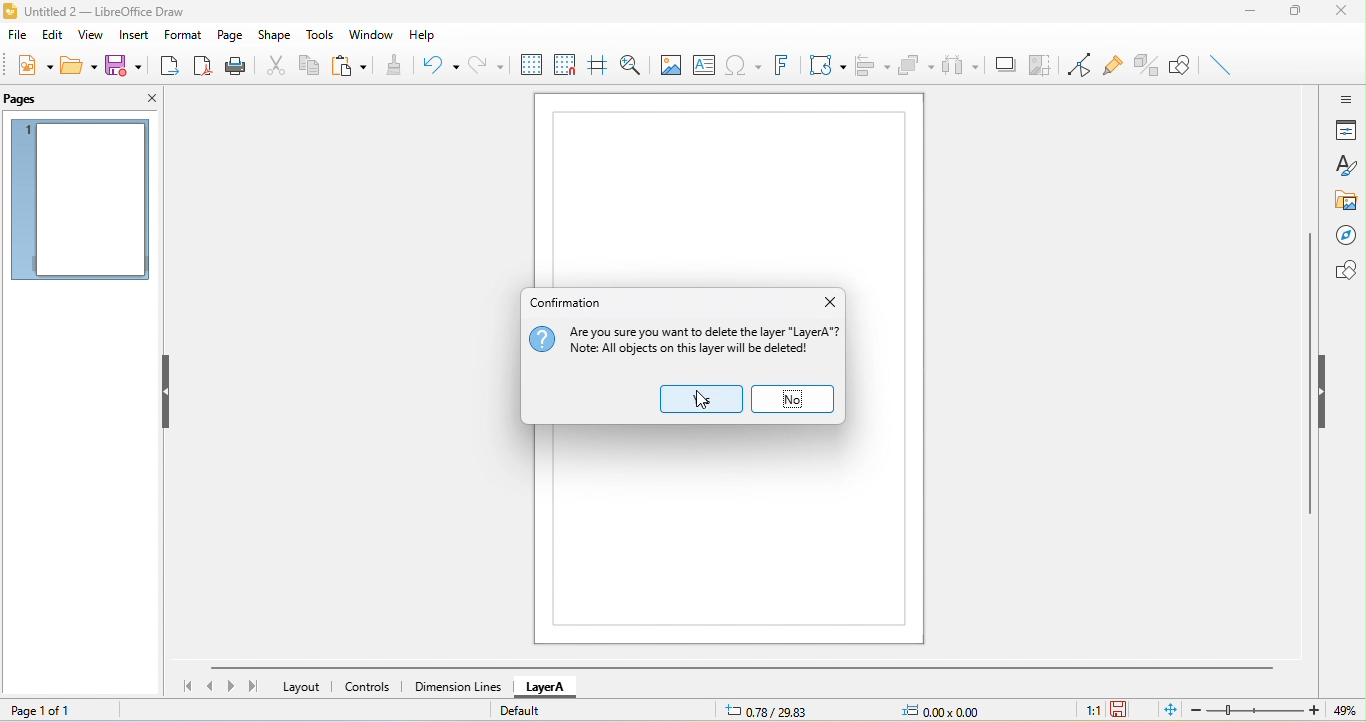 This screenshot has height=722, width=1366. Describe the element at coordinates (306, 689) in the screenshot. I see `layout` at that location.